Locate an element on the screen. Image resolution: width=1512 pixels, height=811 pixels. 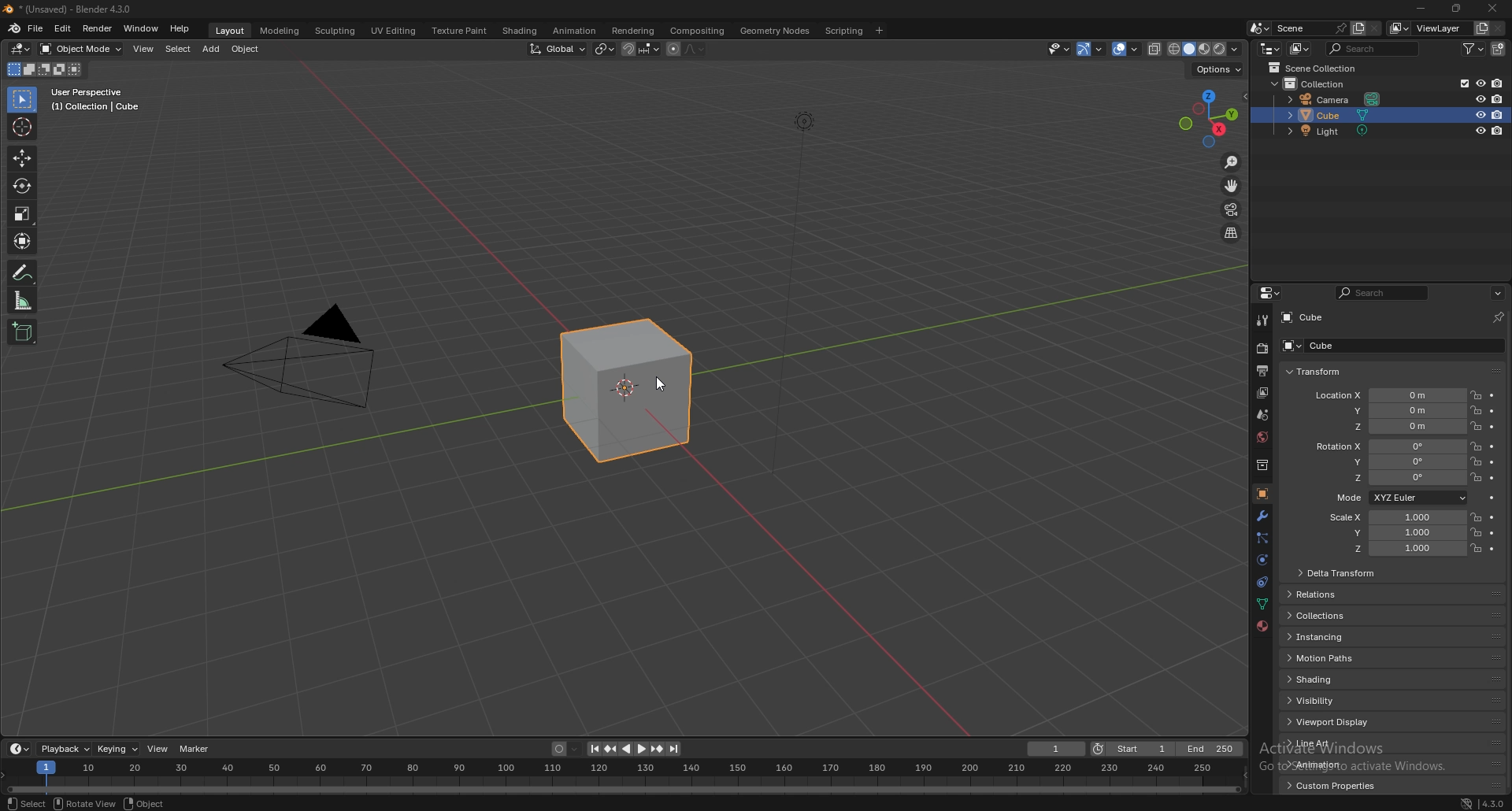
mode is located at coordinates (1398, 498).